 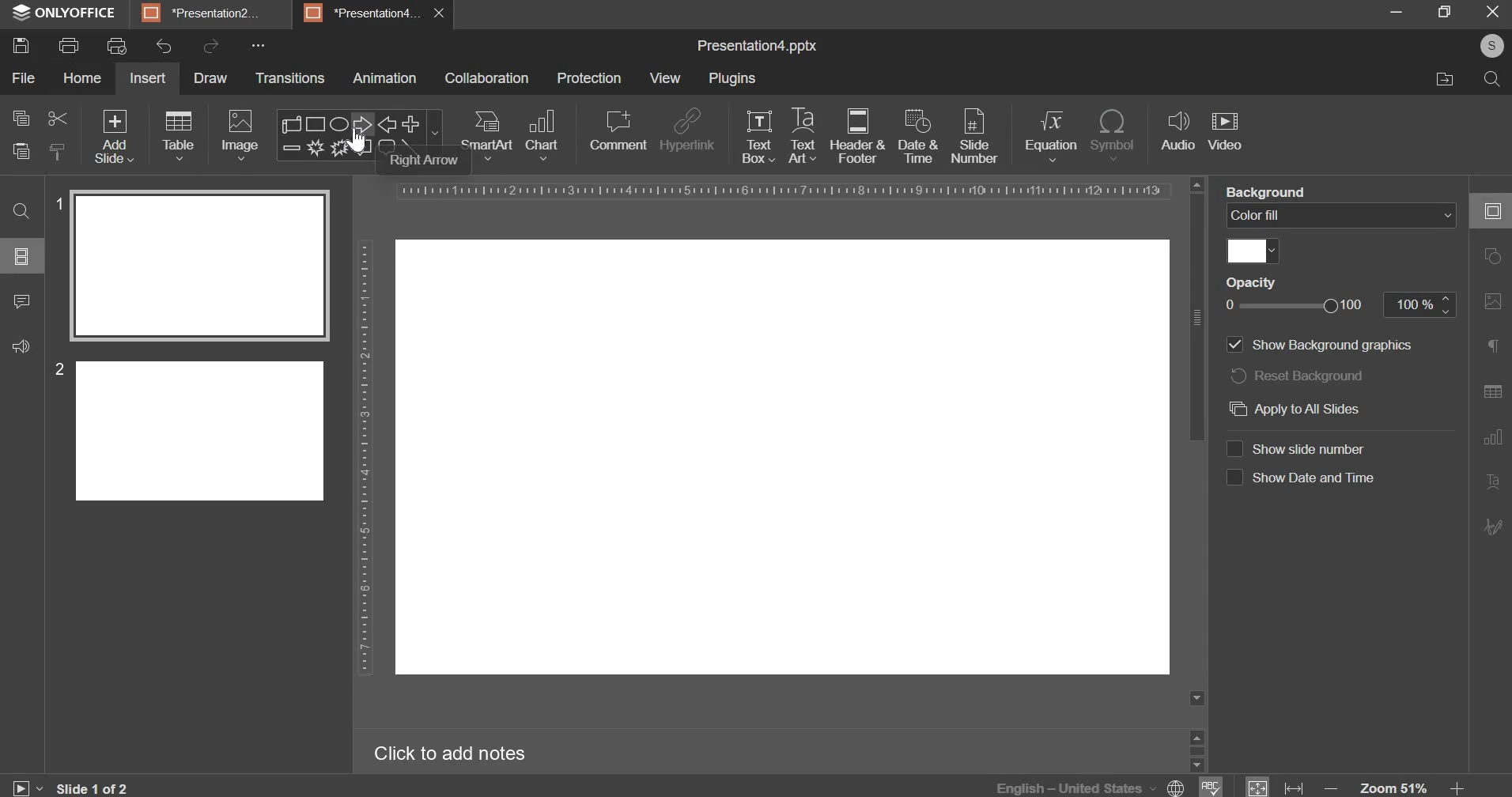 What do you see at coordinates (239, 135) in the screenshot?
I see `image` at bounding box center [239, 135].